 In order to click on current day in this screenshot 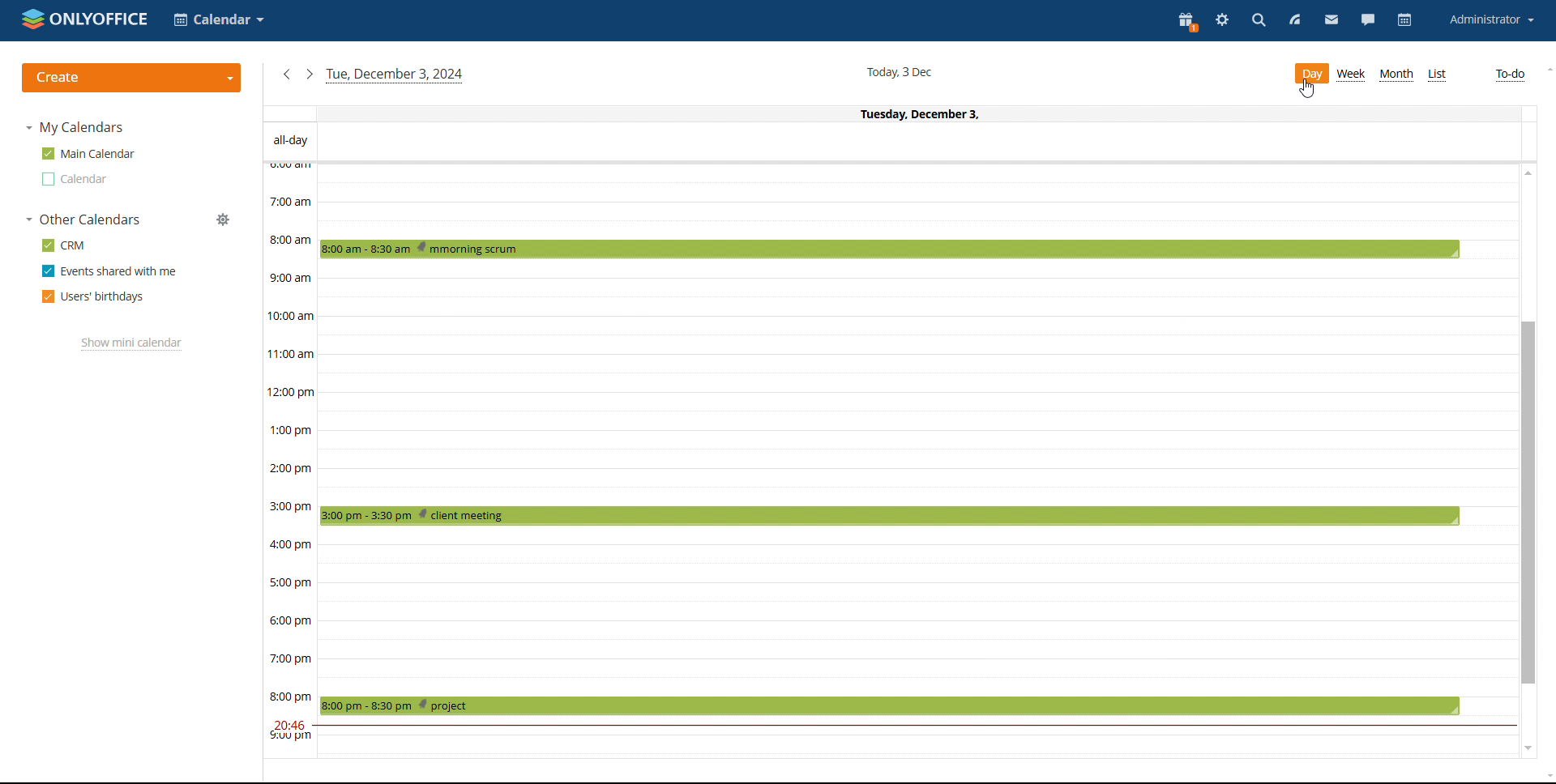, I will do `click(892, 113)`.